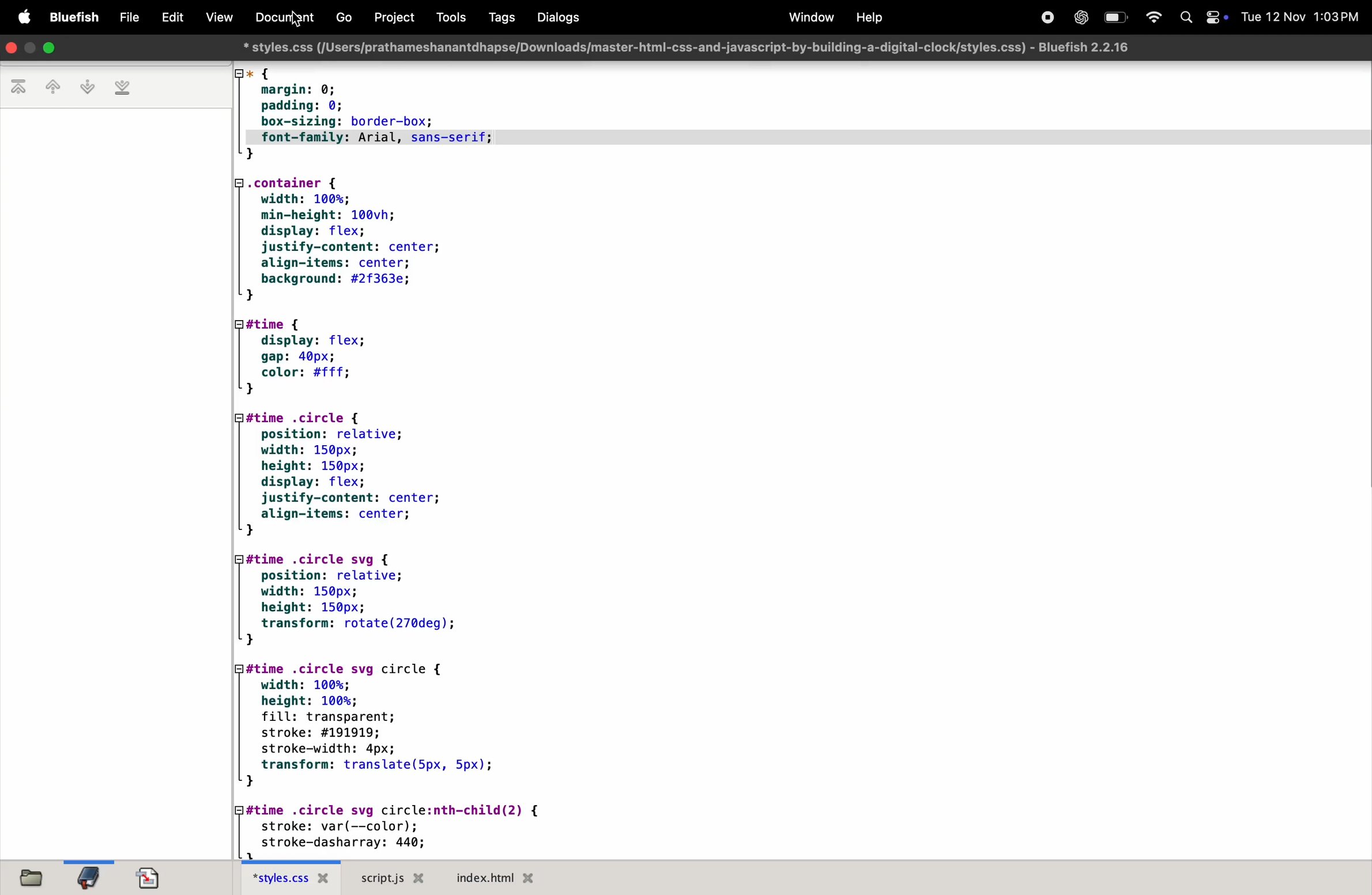  What do you see at coordinates (1155, 18) in the screenshot?
I see `Wifi` at bounding box center [1155, 18].